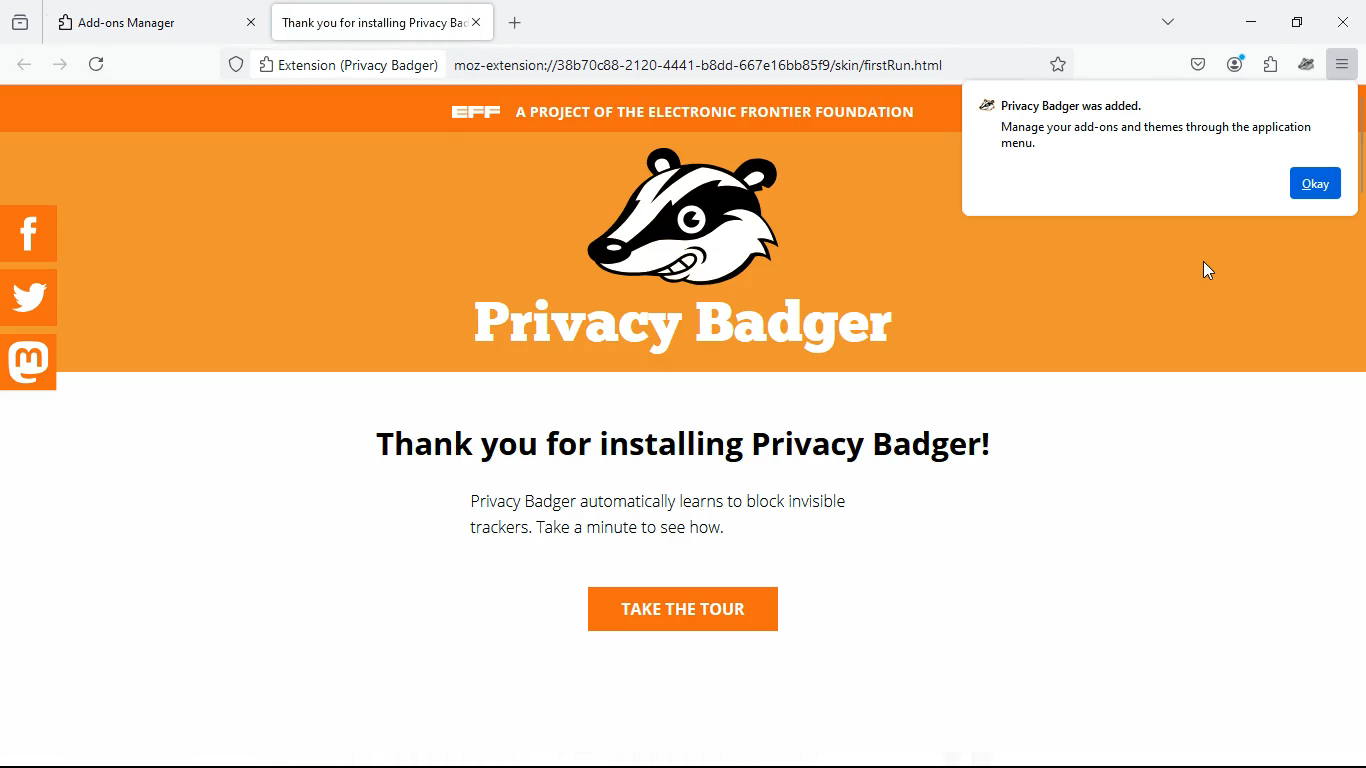 This screenshot has width=1366, height=768. What do you see at coordinates (1169, 24) in the screenshot?
I see `more` at bounding box center [1169, 24].